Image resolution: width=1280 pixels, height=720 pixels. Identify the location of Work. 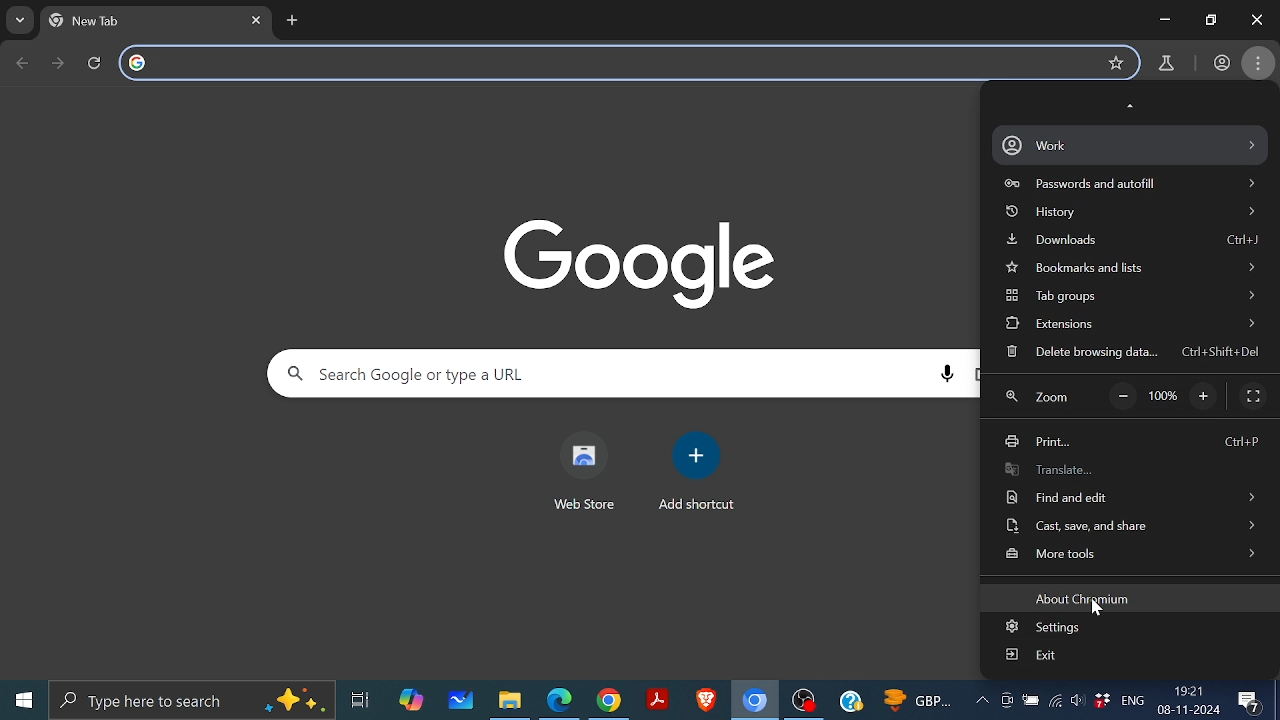
(1132, 145).